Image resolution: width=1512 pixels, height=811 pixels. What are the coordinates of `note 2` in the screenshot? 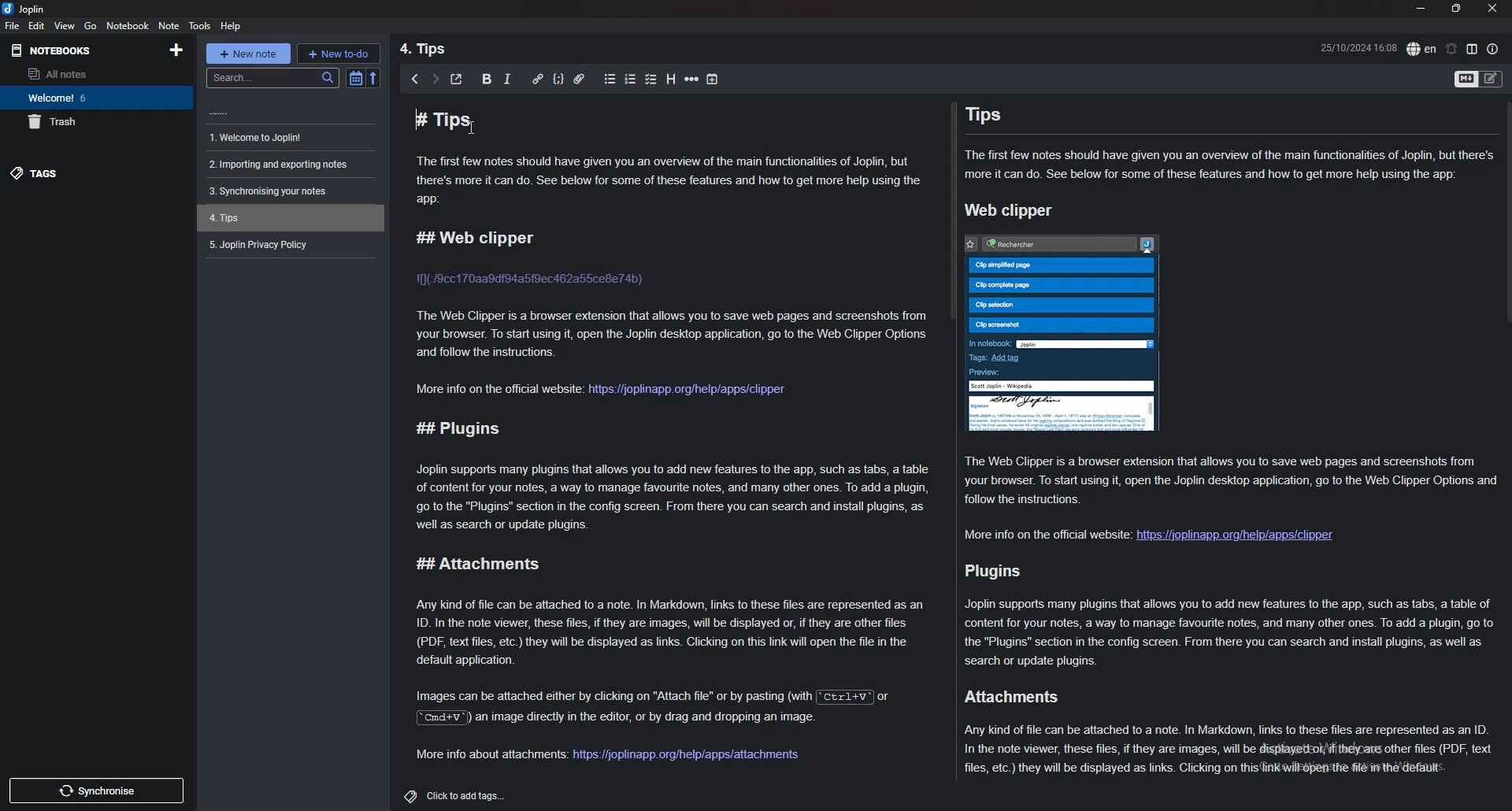 It's located at (291, 137).